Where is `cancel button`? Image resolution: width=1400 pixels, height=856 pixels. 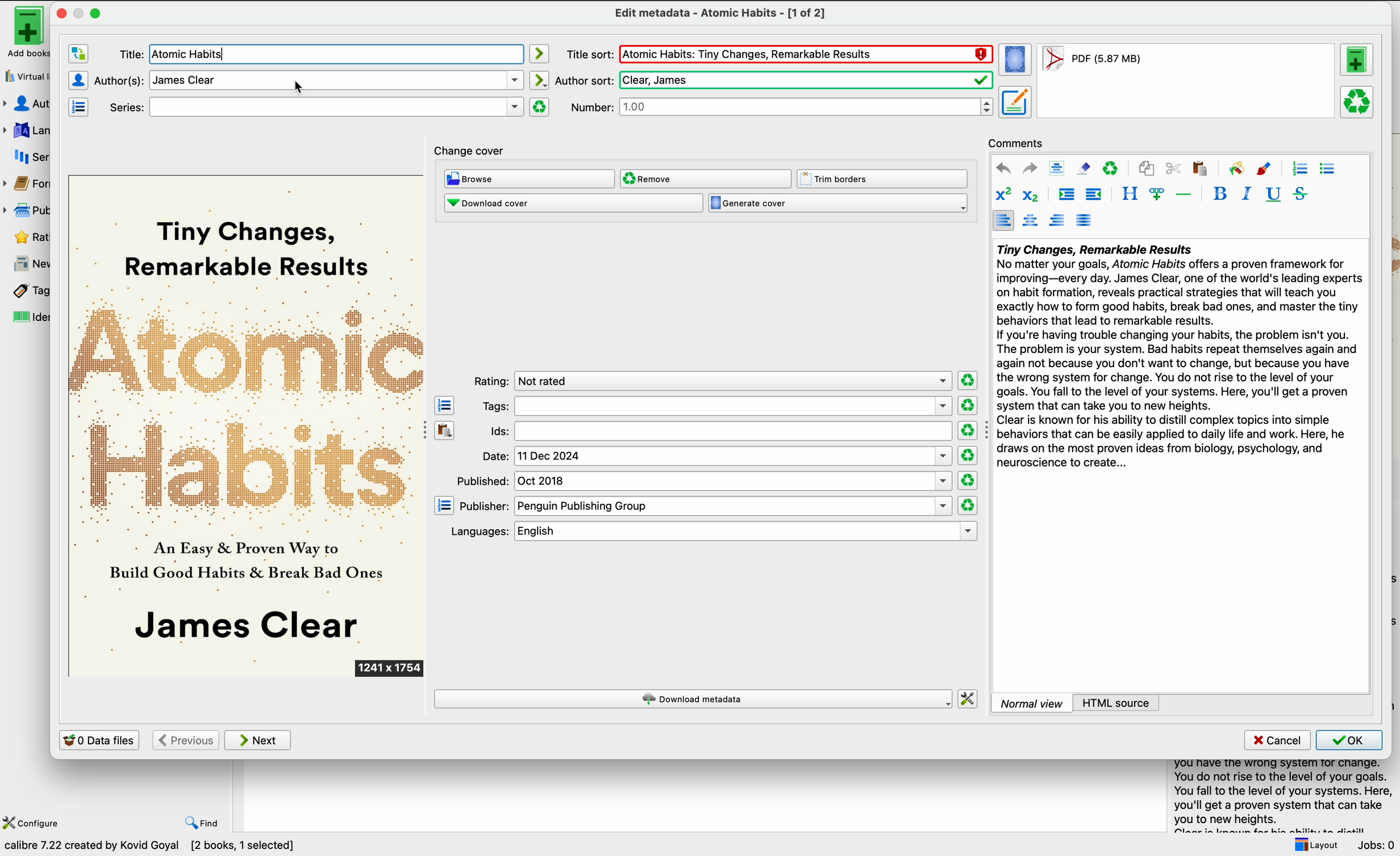
cancel button is located at coordinates (1276, 741).